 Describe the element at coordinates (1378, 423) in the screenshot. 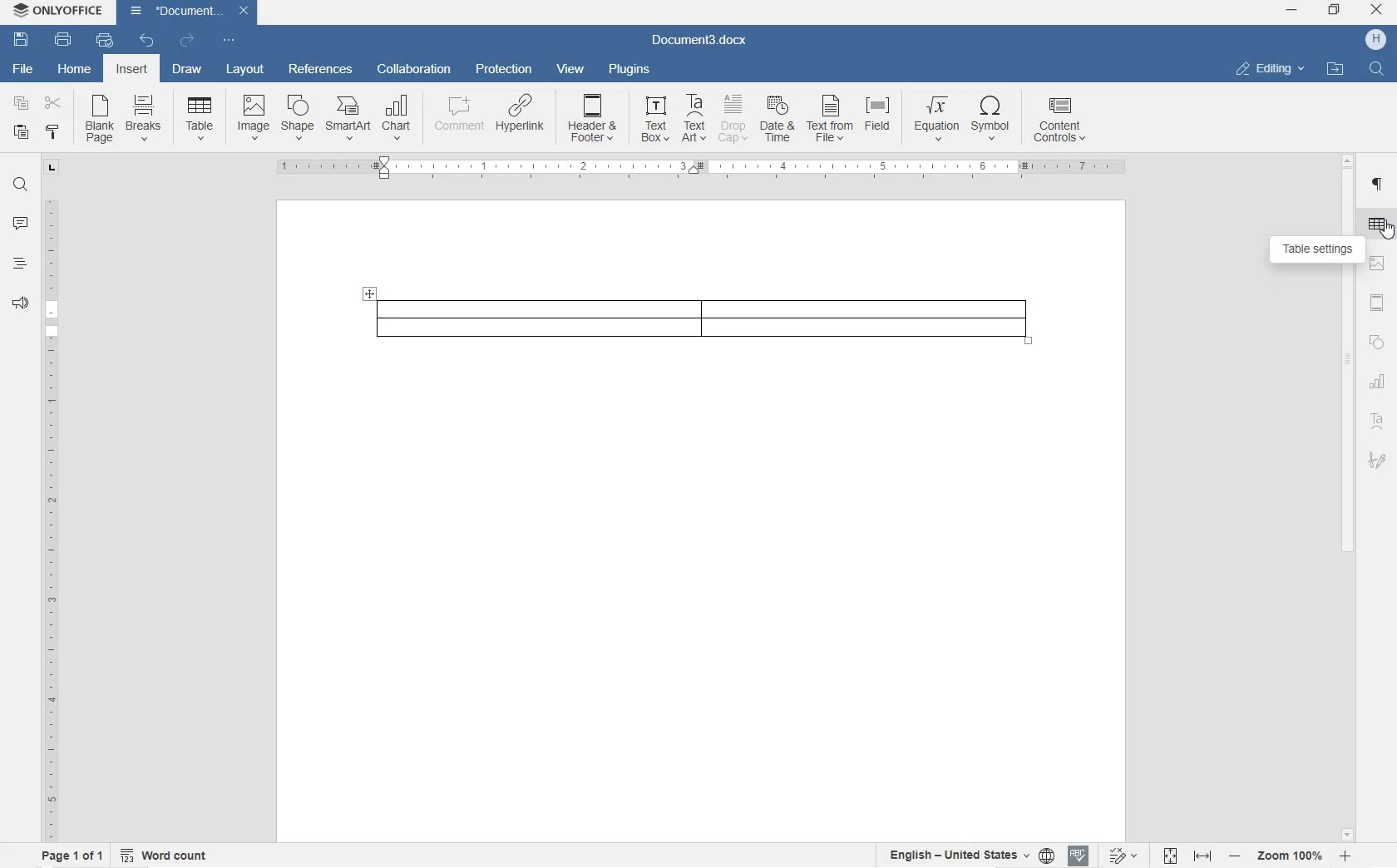

I see `TEXT ART` at that location.